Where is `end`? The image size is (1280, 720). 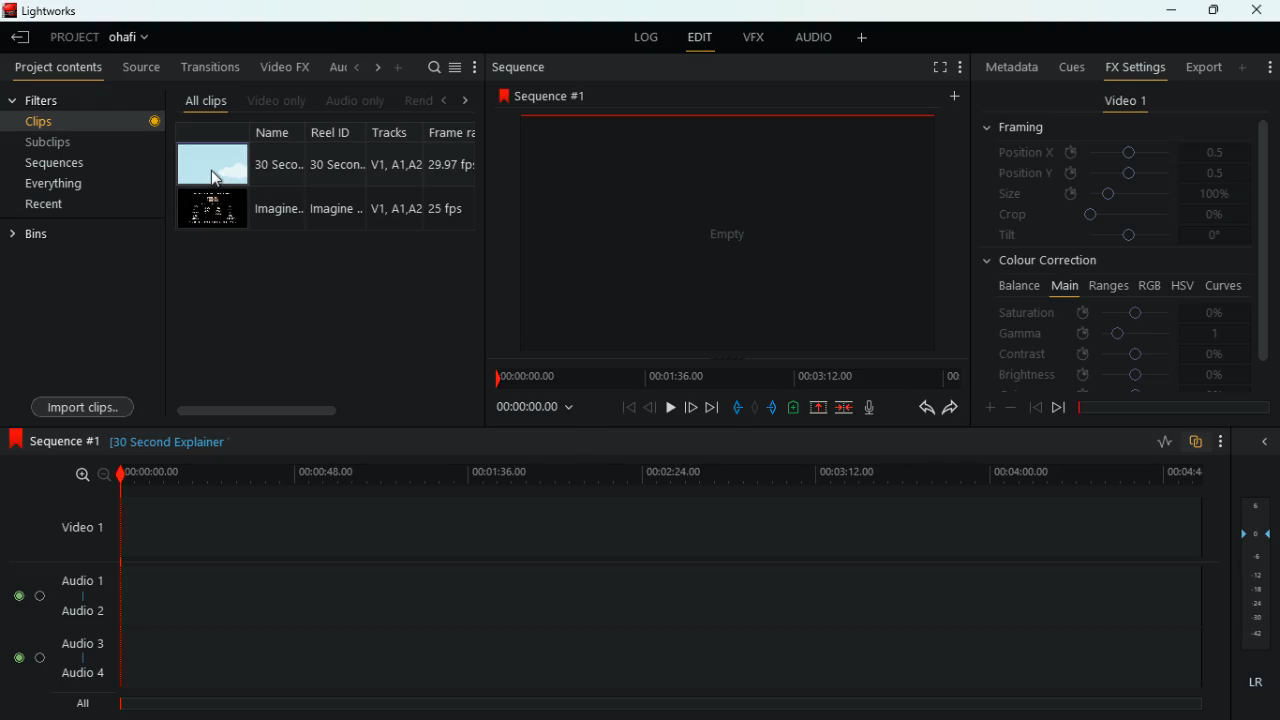
end is located at coordinates (1058, 407).